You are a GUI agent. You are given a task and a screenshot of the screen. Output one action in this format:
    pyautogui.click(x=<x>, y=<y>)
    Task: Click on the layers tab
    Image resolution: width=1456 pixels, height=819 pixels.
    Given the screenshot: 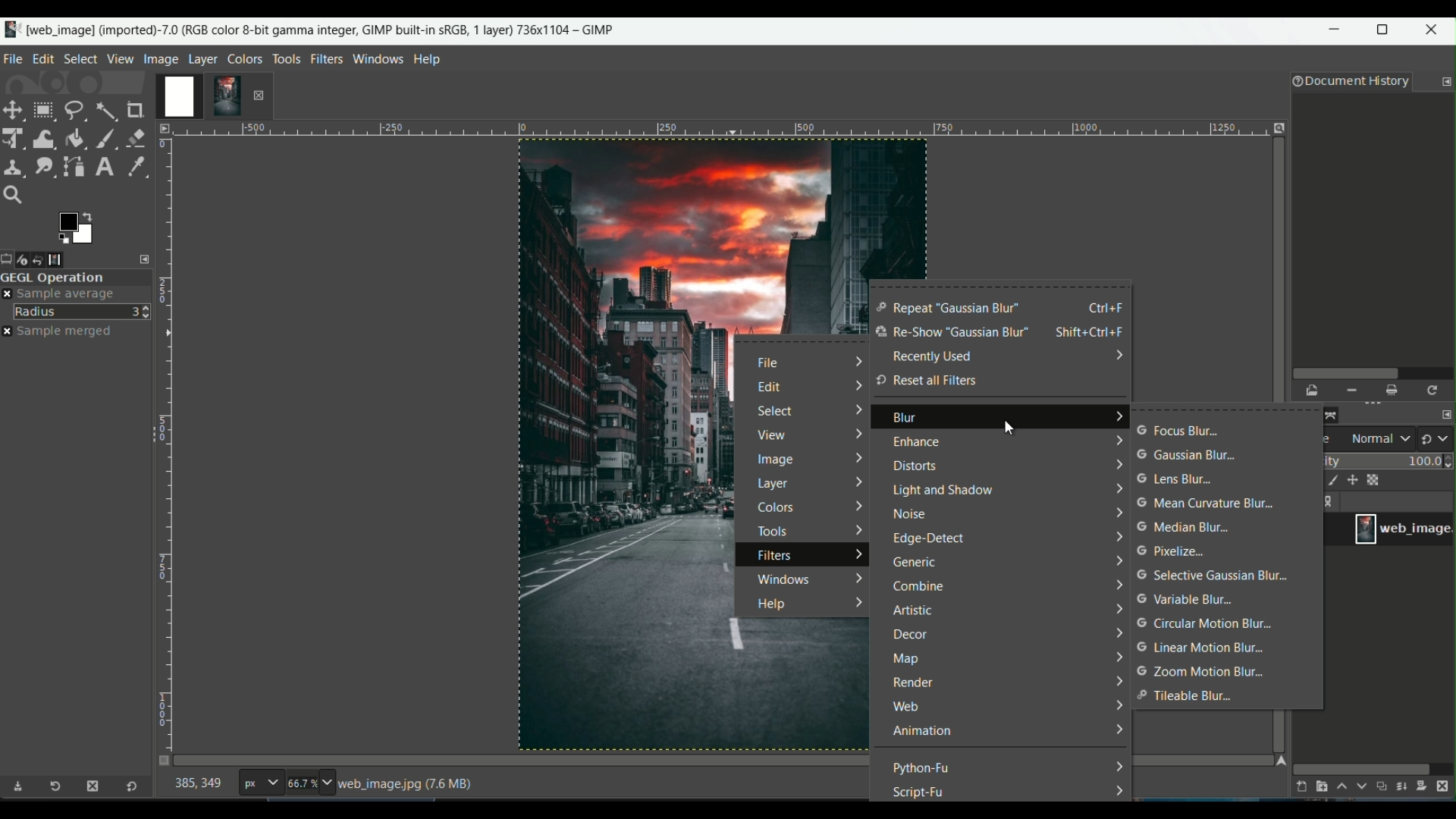 What is the action you would take?
    pyautogui.click(x=205, y=58)
    